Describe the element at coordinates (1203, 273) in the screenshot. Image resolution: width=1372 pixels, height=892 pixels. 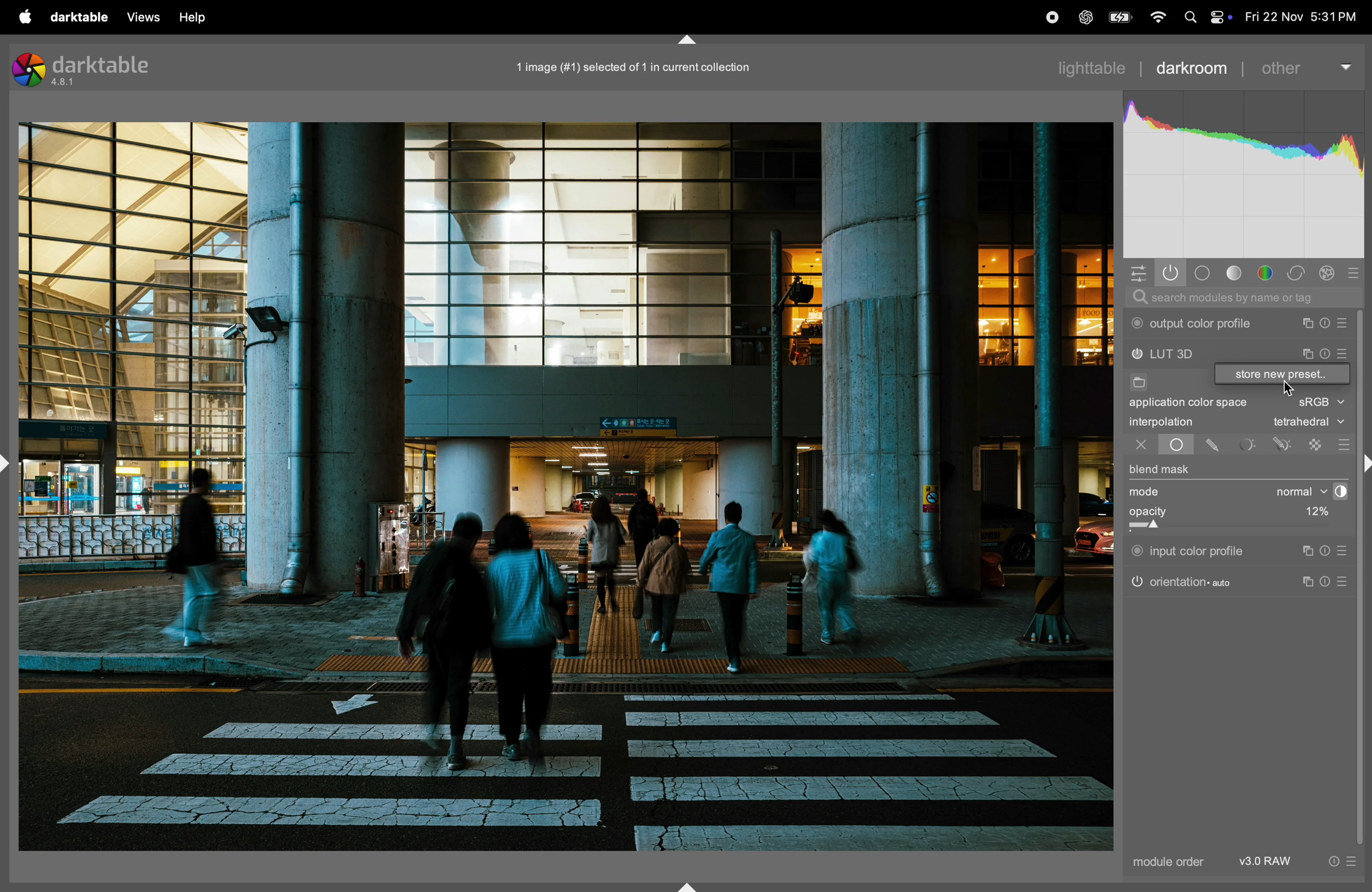
I see `base` at that location.